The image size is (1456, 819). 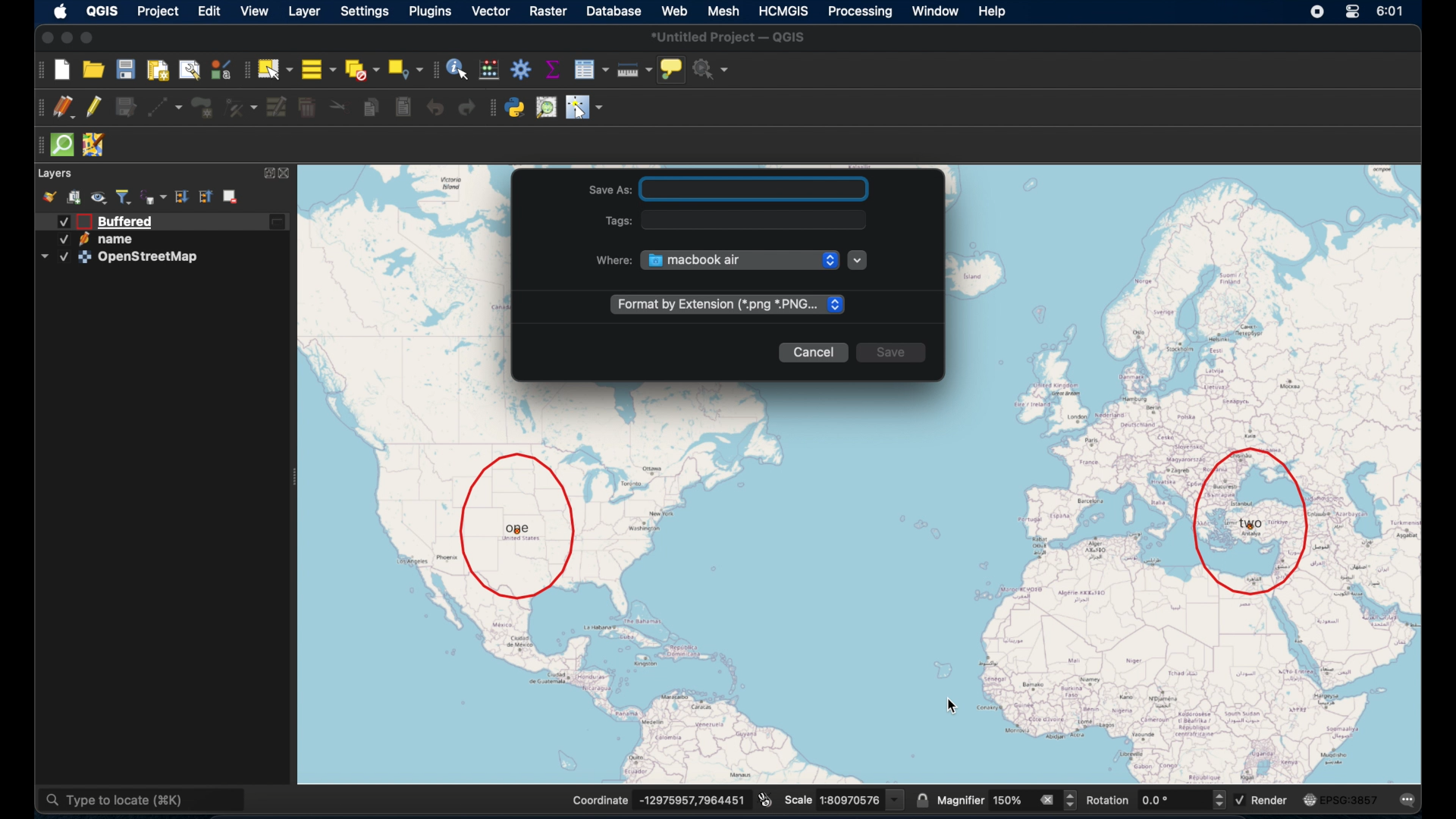 What do you see at coordinates (758, 190) in the screenshot?
I see `save as input field` at bounding box center [758, 190].